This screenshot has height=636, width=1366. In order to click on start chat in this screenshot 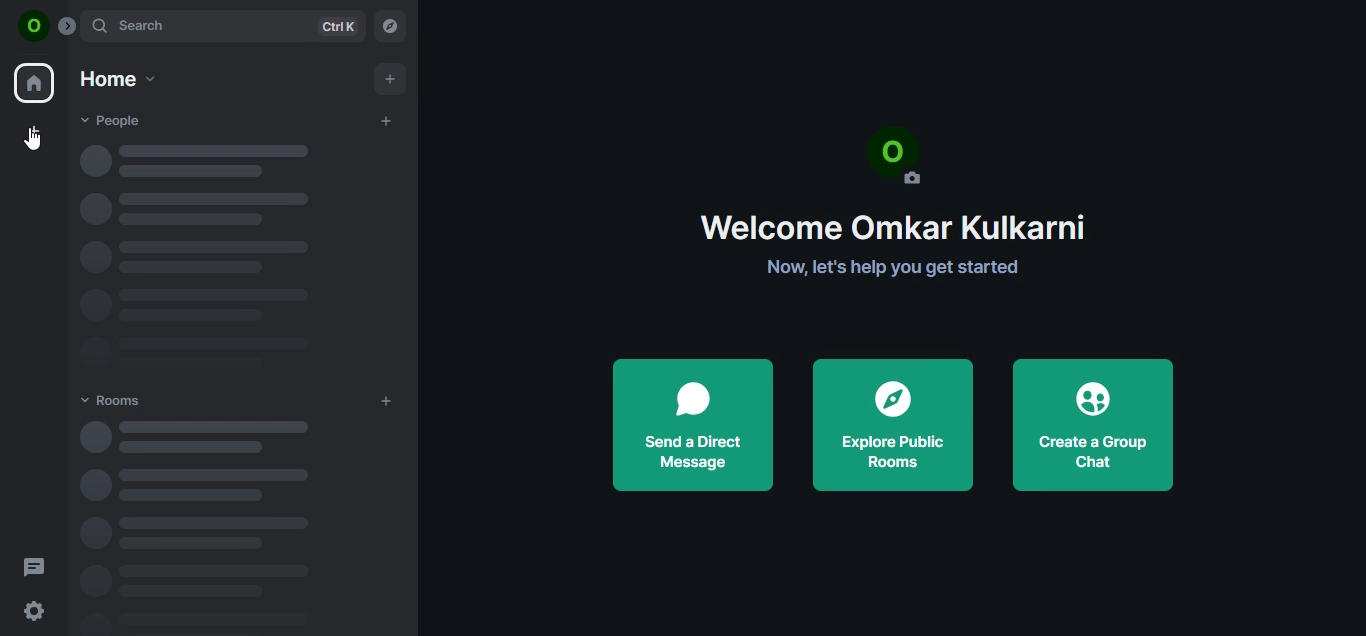, I will do `click(388, 122)`.